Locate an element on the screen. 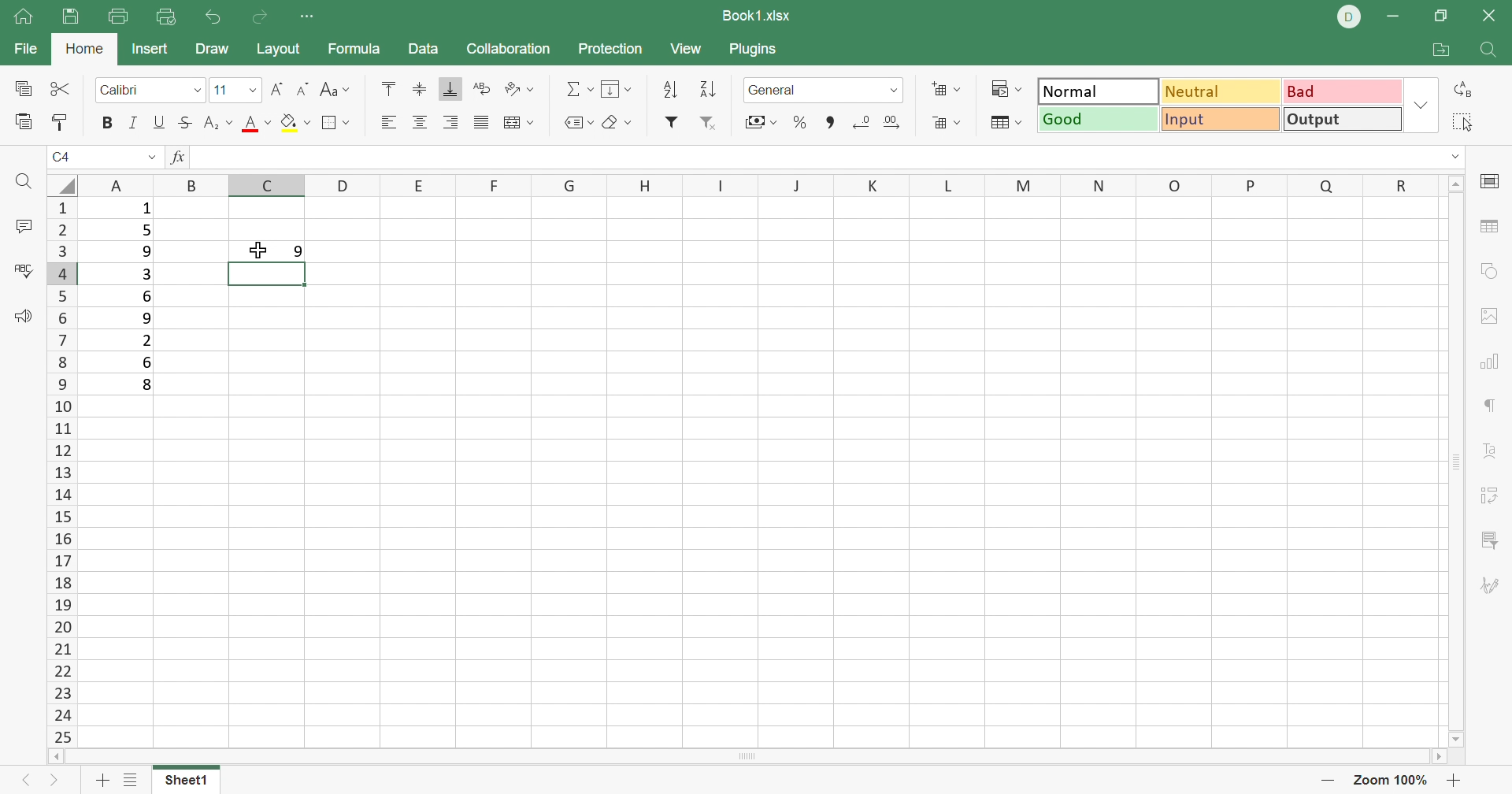  Format as table template is located at coordinates (949, 124).